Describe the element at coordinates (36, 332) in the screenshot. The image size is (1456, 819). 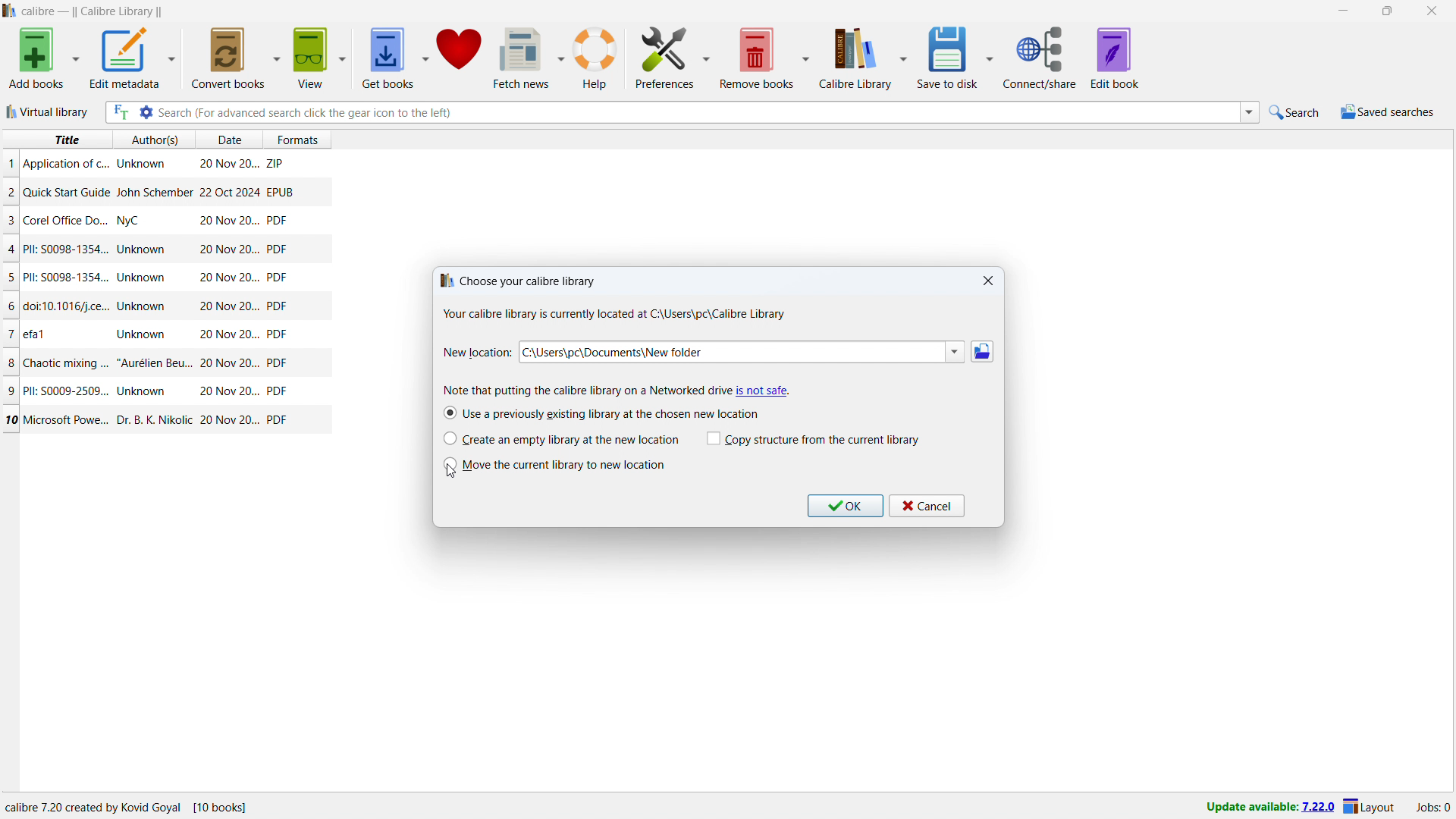
I see `Title` at that location.